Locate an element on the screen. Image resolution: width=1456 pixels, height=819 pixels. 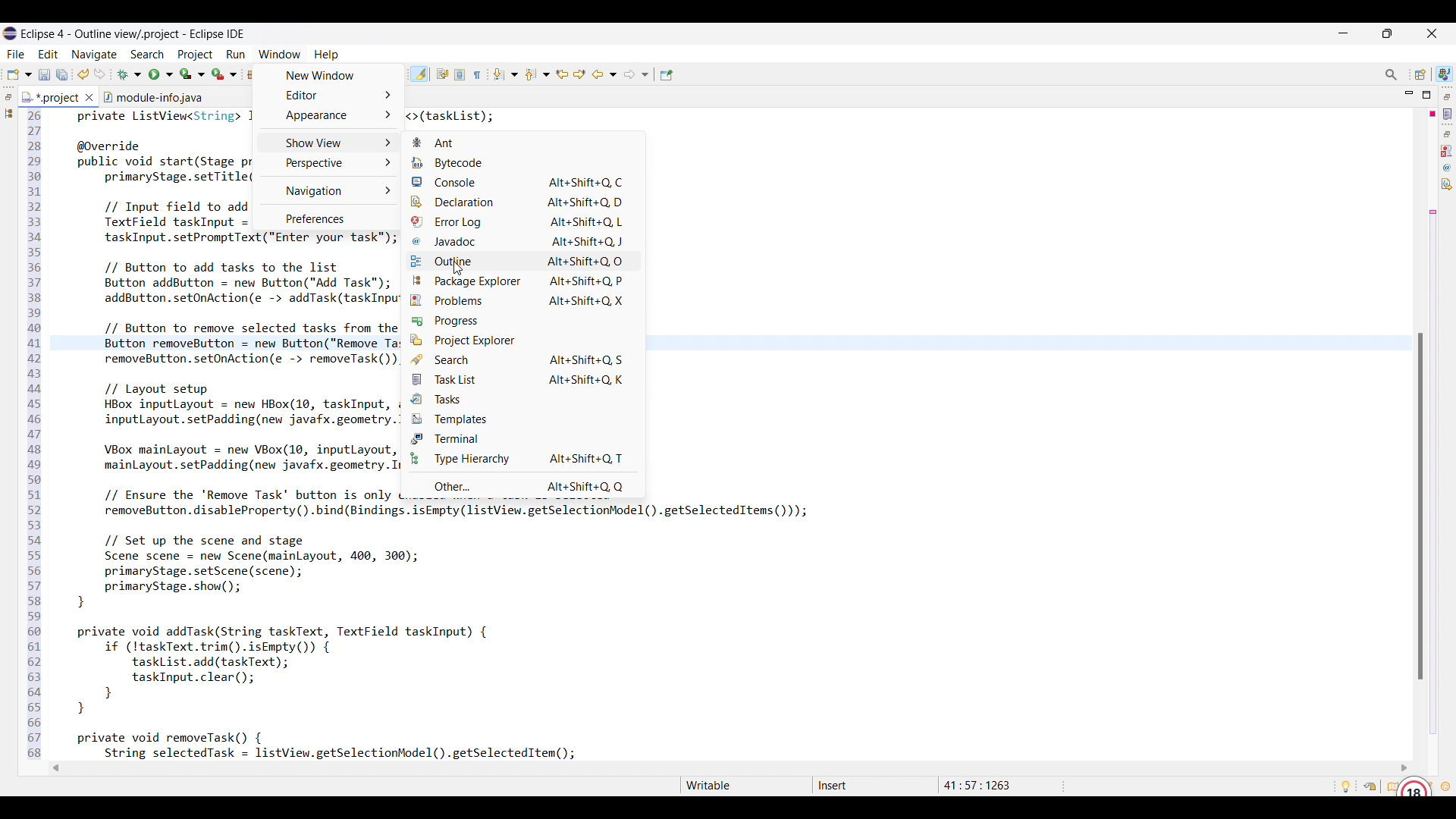
Status bar details is located at coordinates (864, 786).